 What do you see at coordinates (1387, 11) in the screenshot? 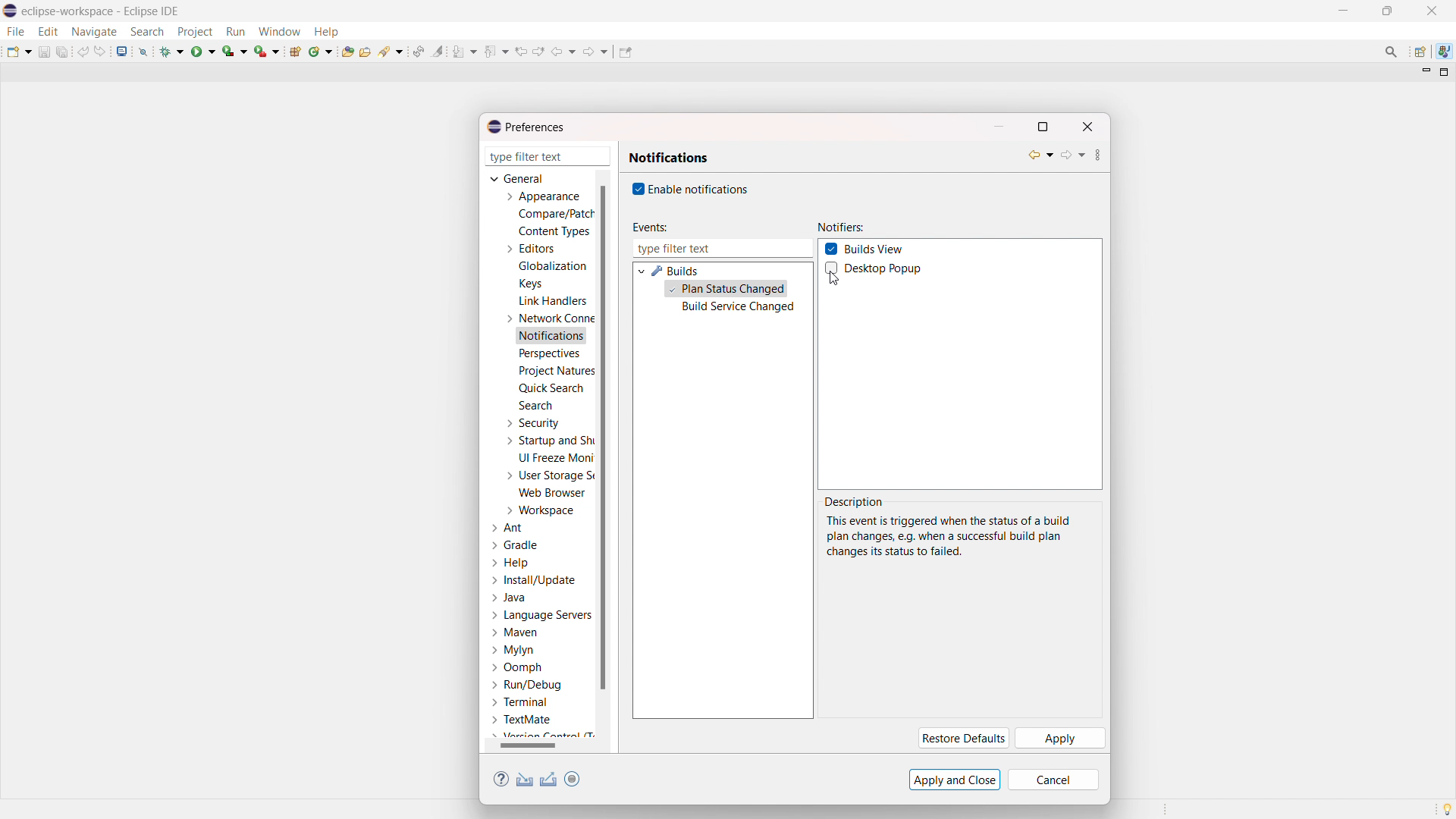
I see `maximize` at bounding box center [1387, 11].